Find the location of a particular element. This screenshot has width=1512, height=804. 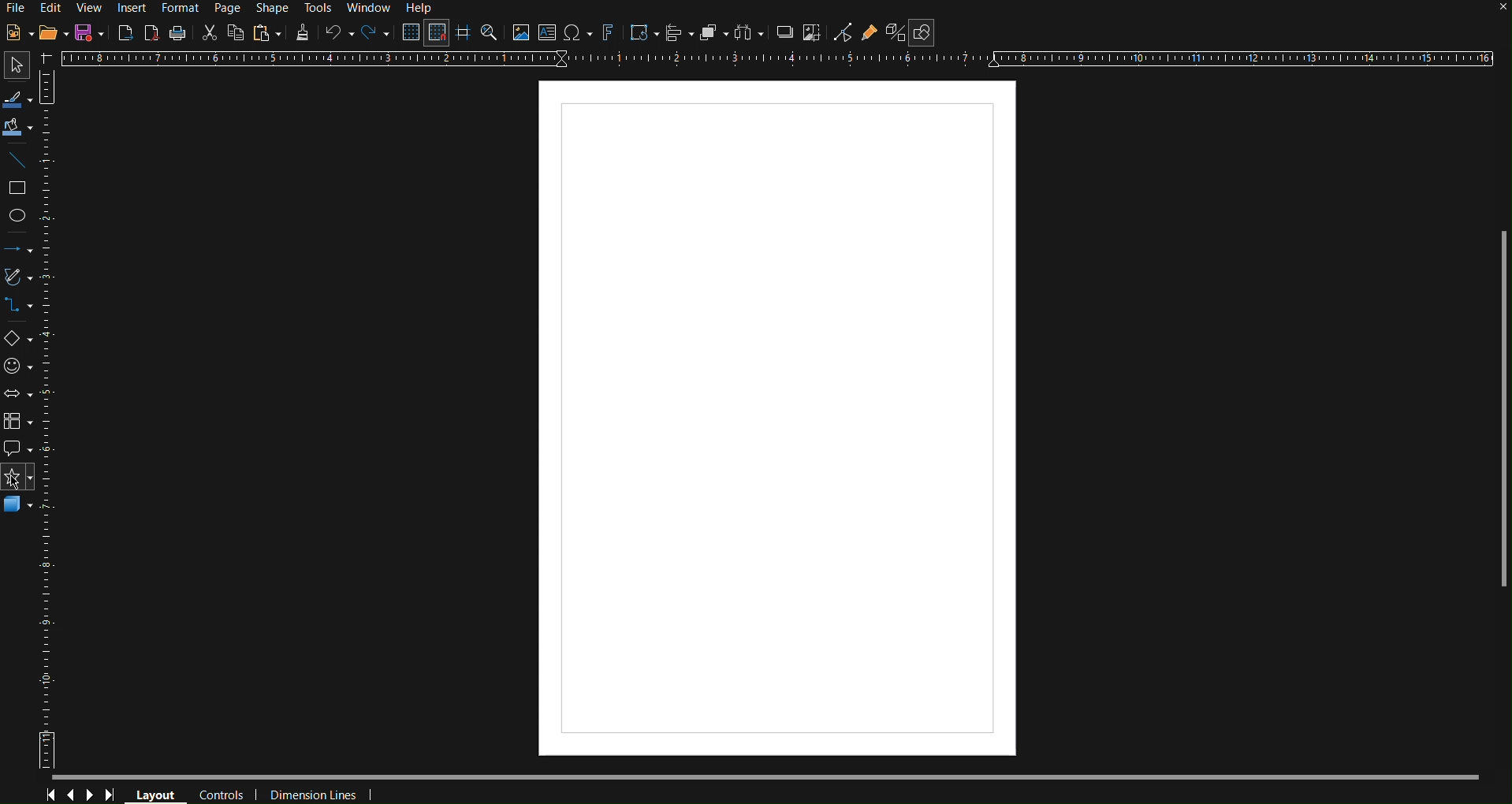

Redo is located at coordinates (373, 34).